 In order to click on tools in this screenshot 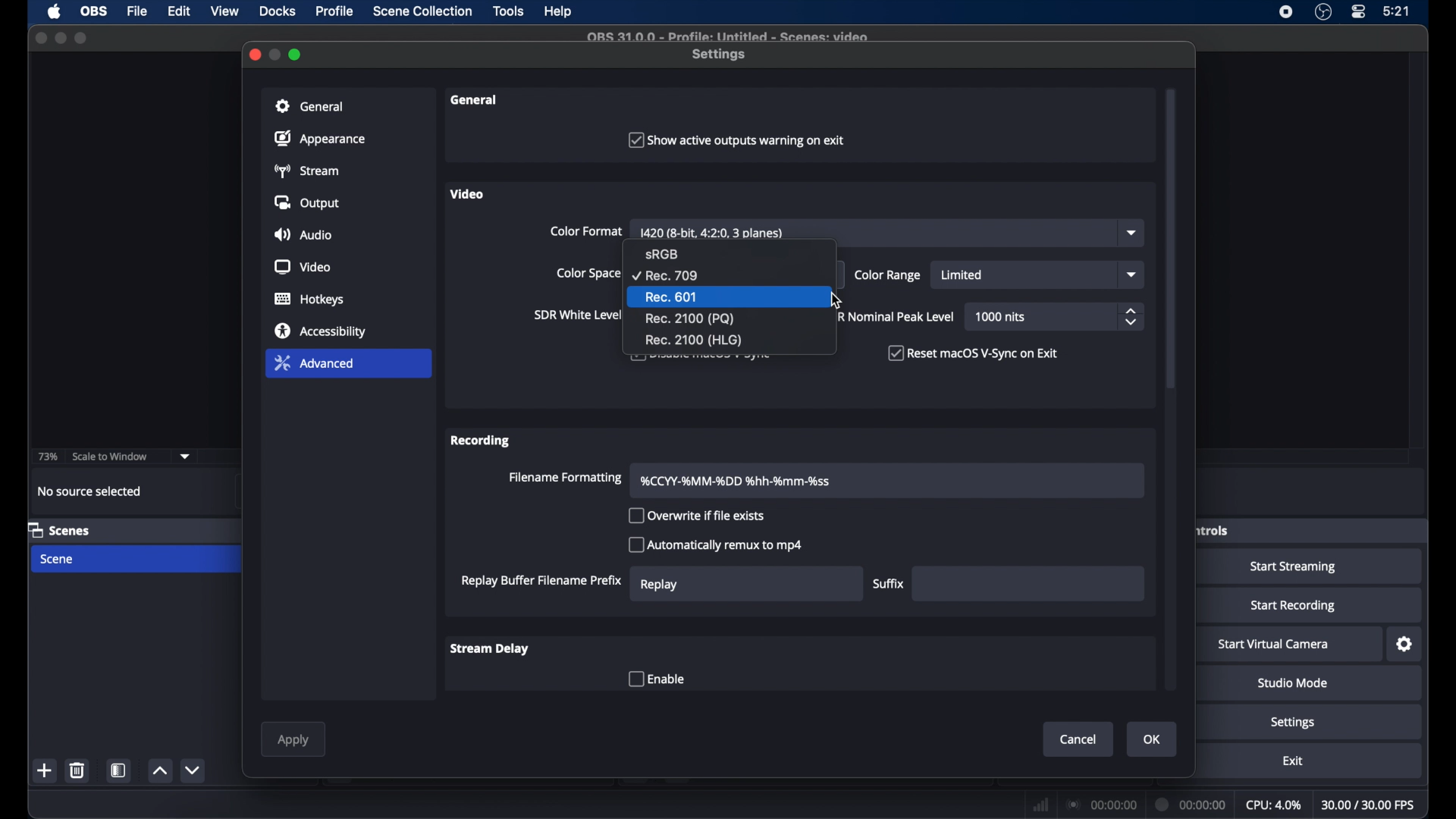, I will do `click(510, 11)`.